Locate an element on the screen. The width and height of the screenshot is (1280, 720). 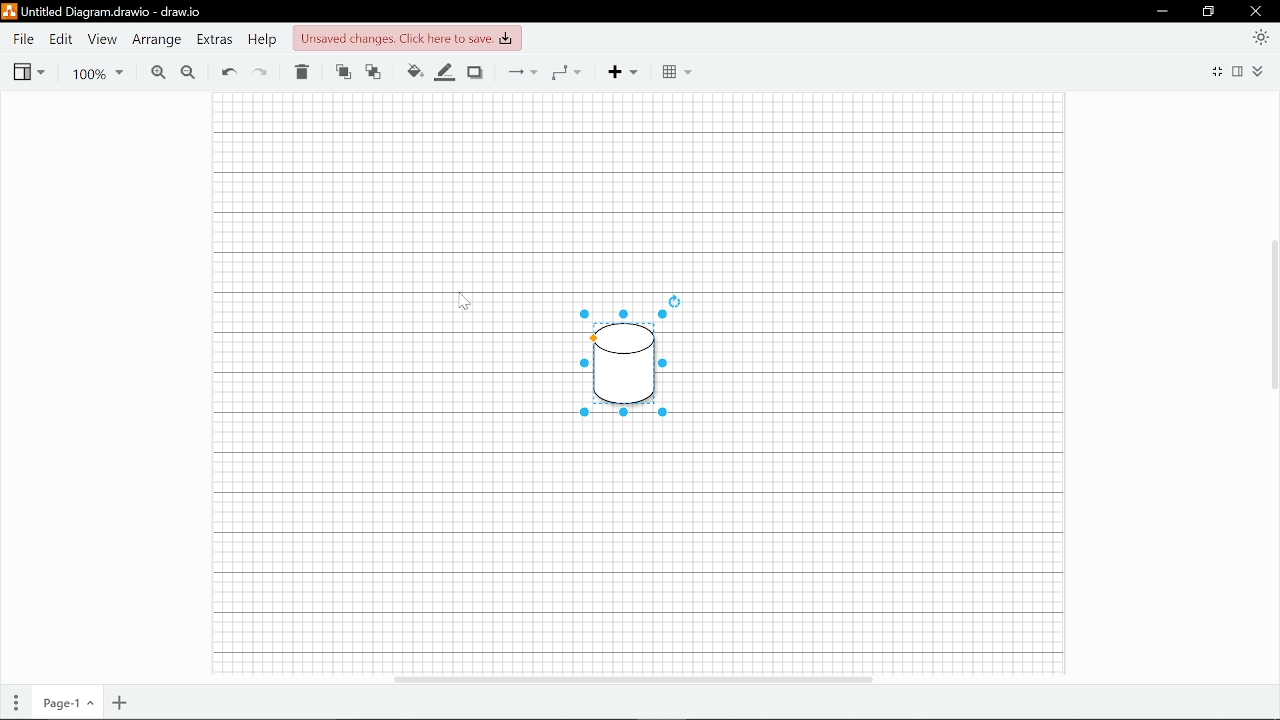
Extras is located at coordinates (216, 40).